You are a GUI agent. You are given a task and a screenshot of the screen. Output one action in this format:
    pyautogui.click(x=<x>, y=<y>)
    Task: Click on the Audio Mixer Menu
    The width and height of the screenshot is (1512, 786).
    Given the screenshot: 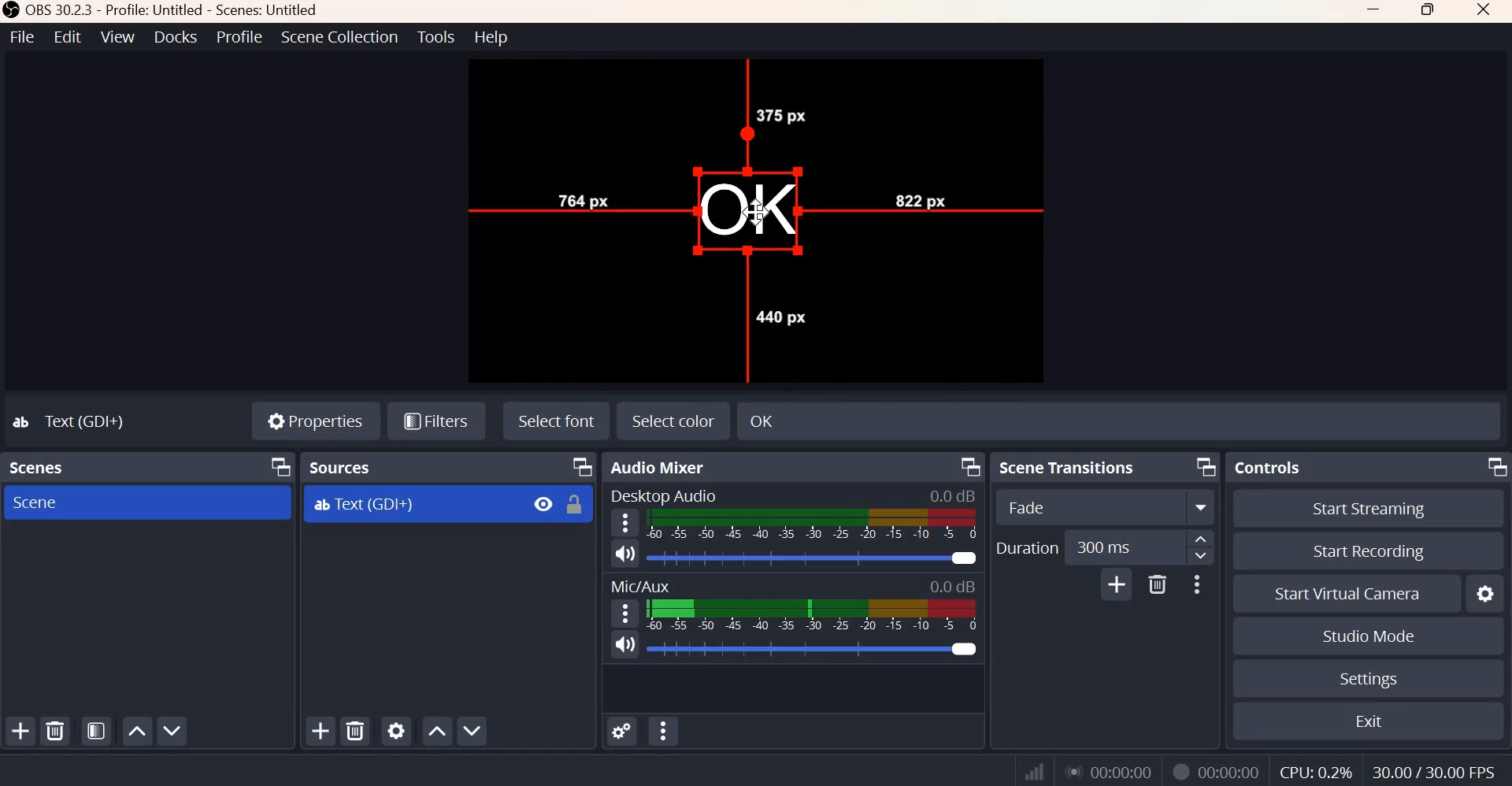 What is the action you would take?
    pyautogui.click(x=664, y=730)
    